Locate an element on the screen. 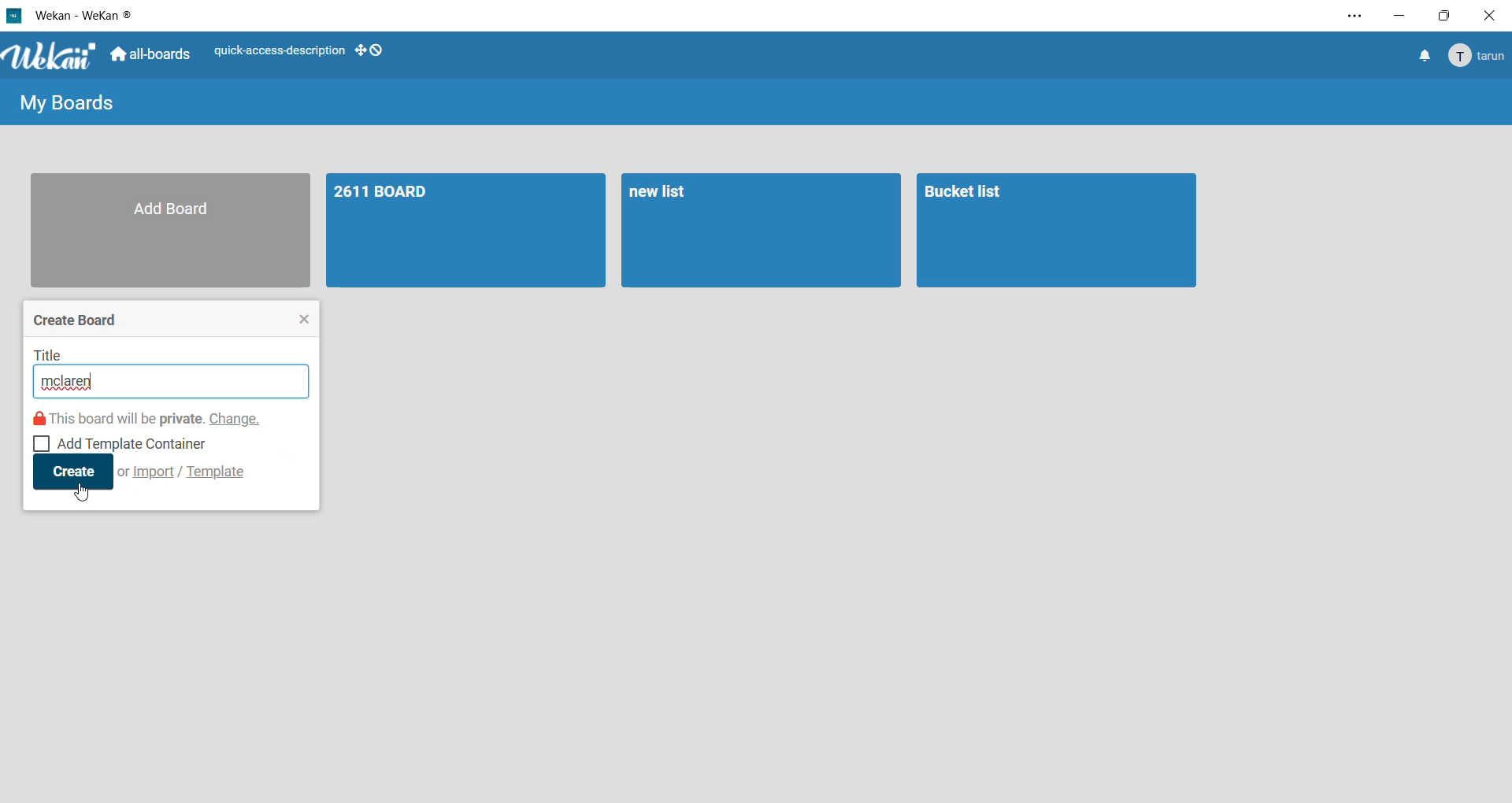 The height and width of the screenshot is (803, 1512). notifications is located at coordinates (1418, 56).